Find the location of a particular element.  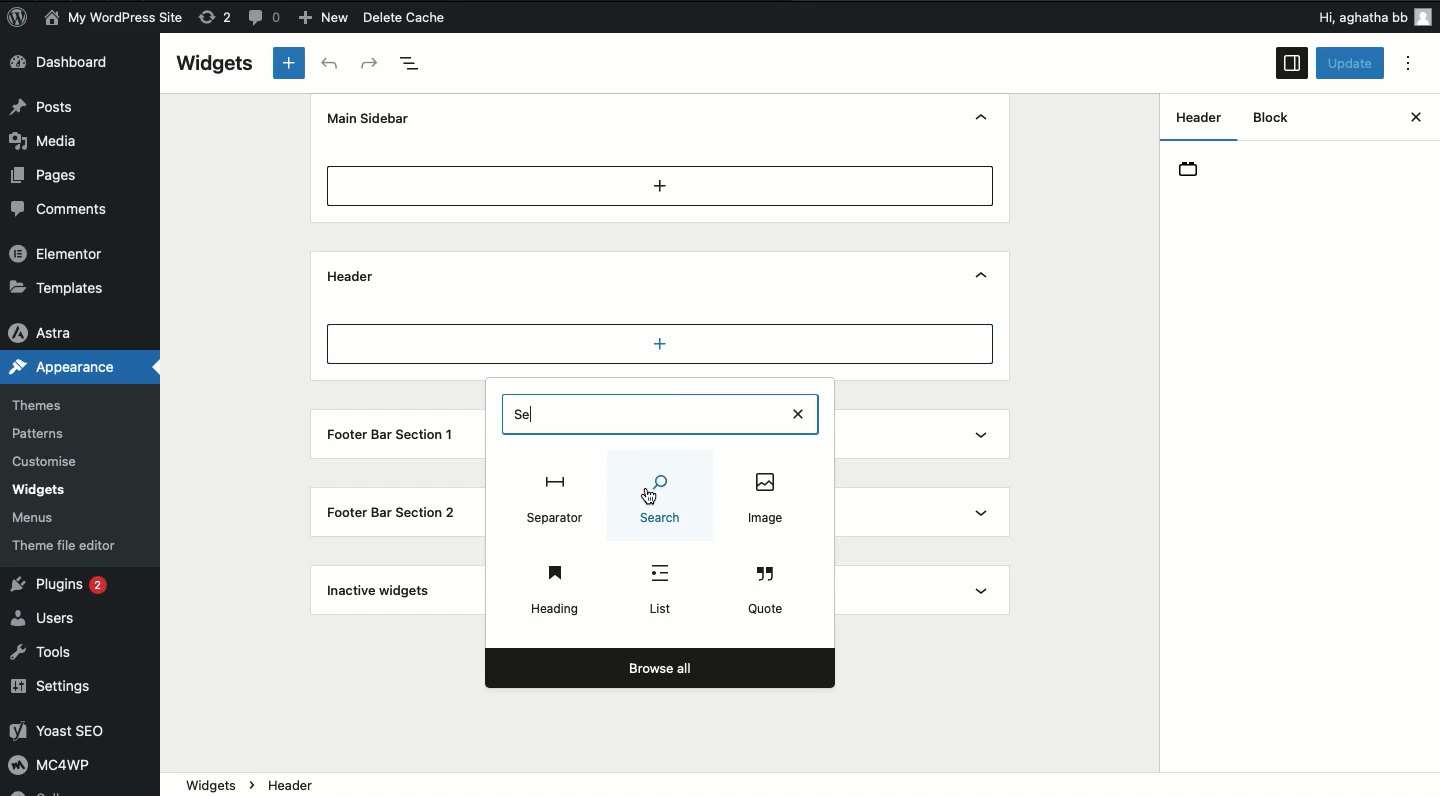

Pages is located at coordinates (48, 175).